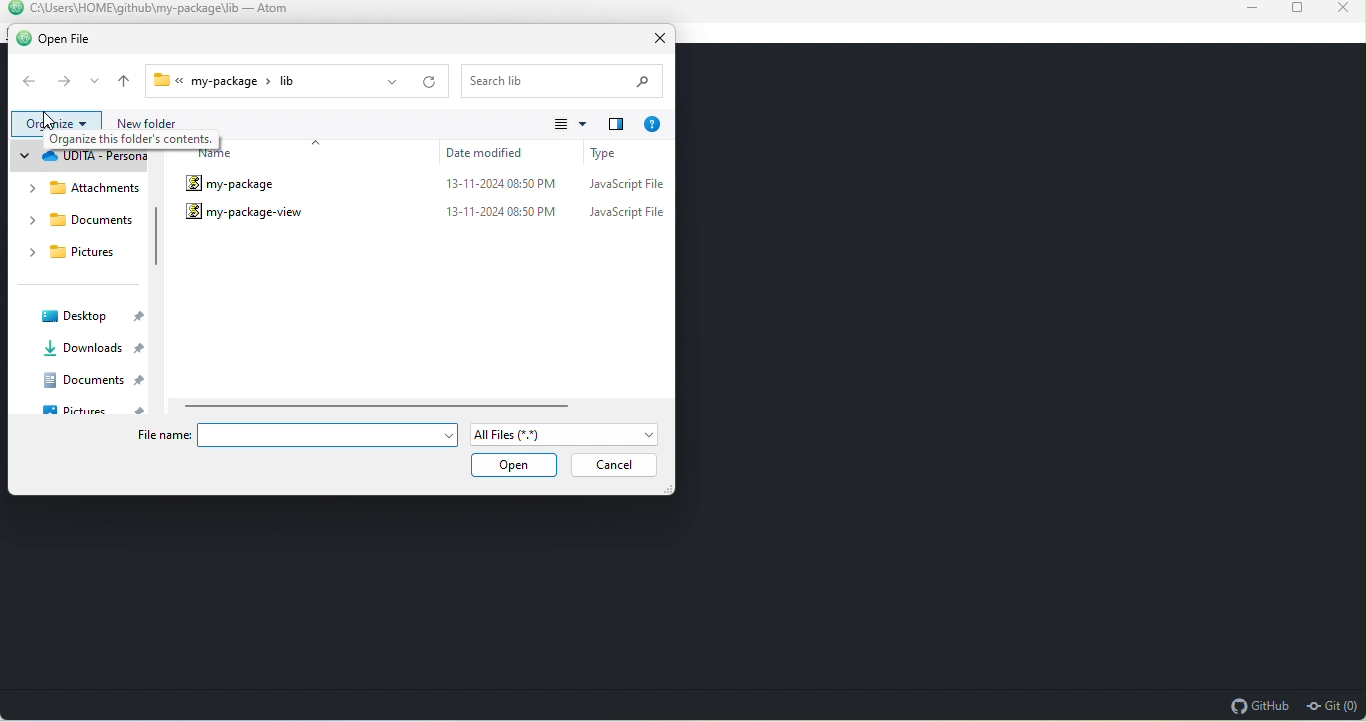  Describe the element at coordinates (567, 434) in the screenshot. I see `all files` at that location.